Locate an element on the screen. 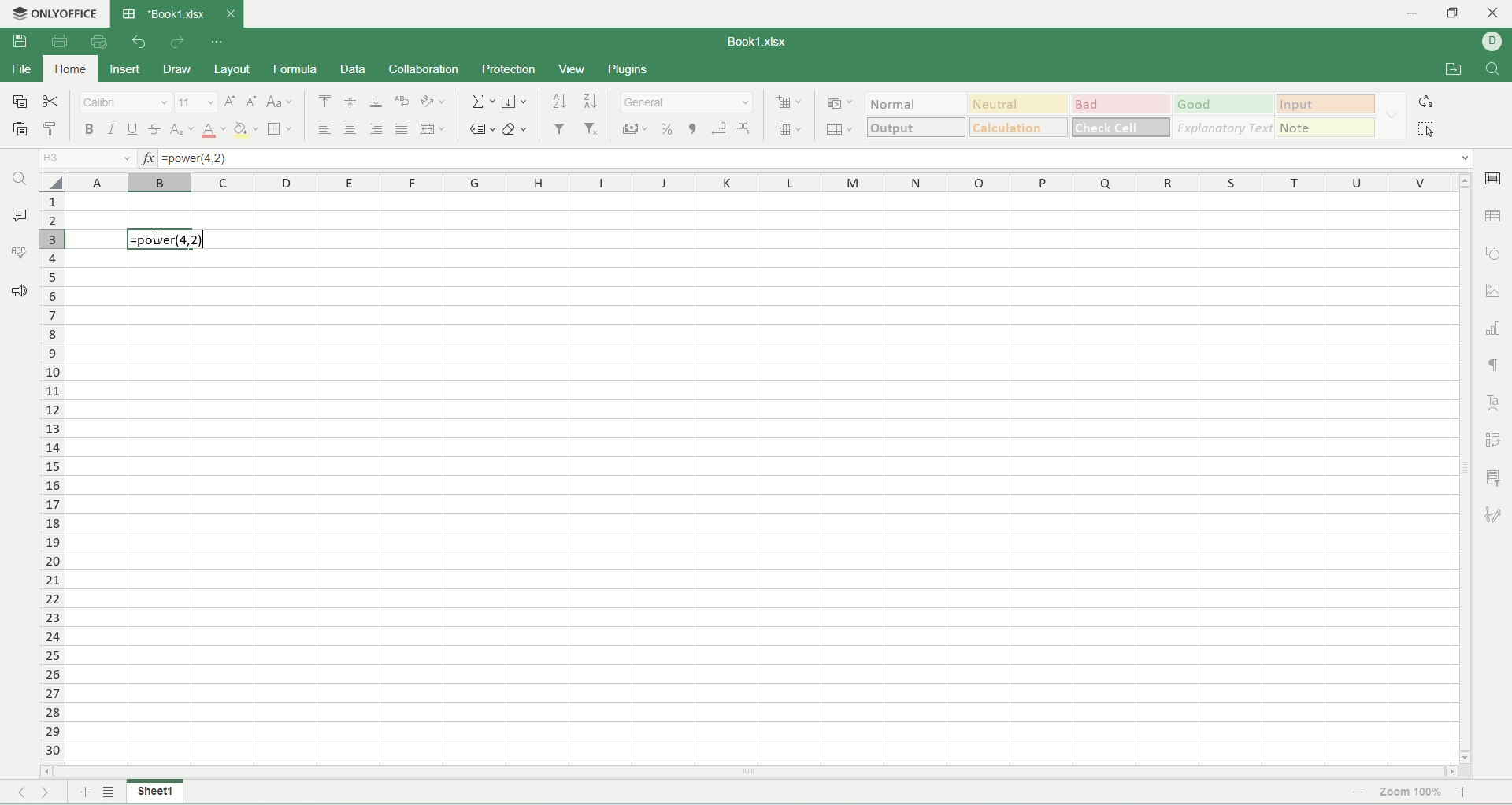  remove filter is located at coordinates (593, 128).